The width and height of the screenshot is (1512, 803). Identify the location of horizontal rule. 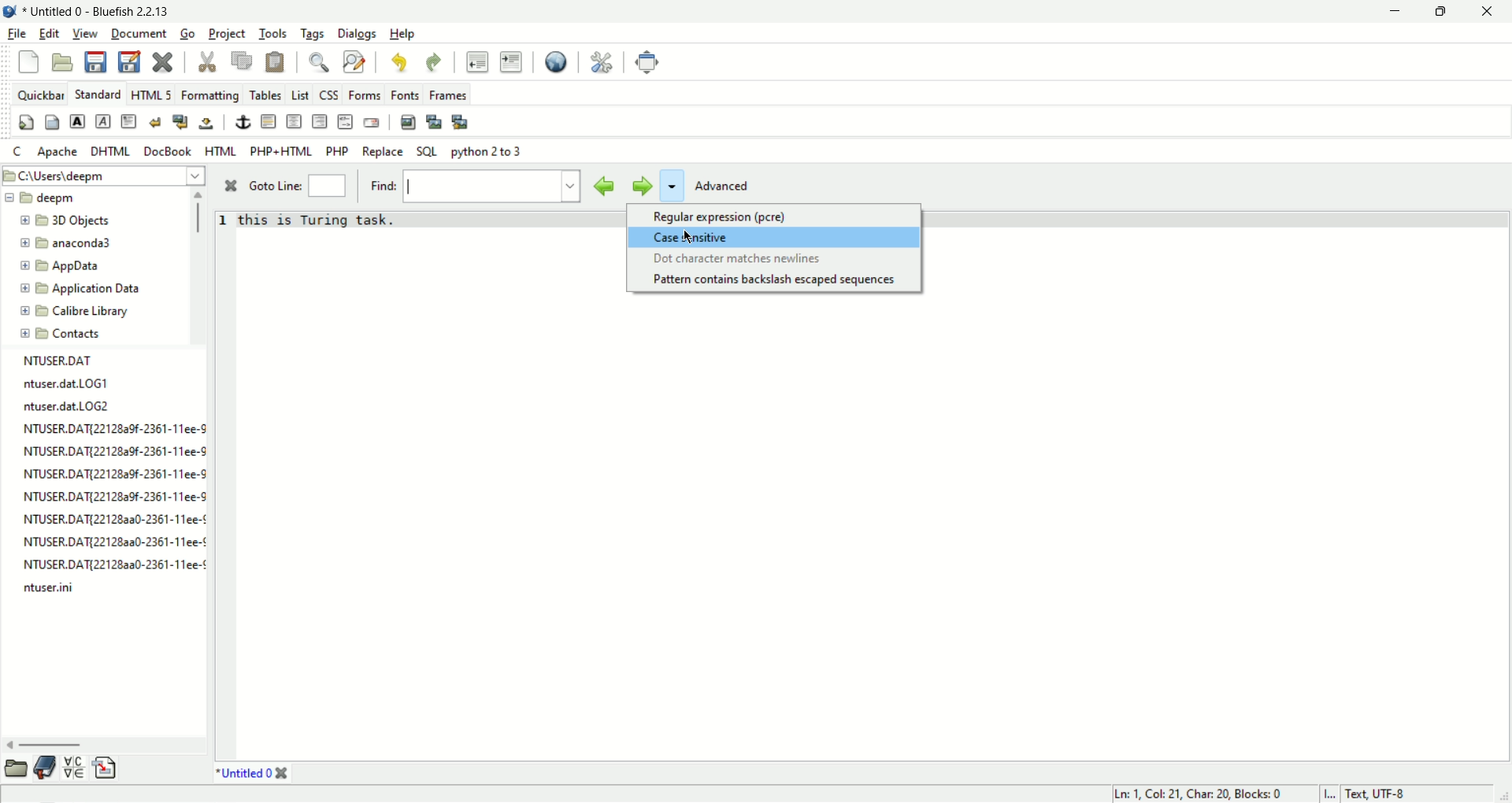
(268, 121).